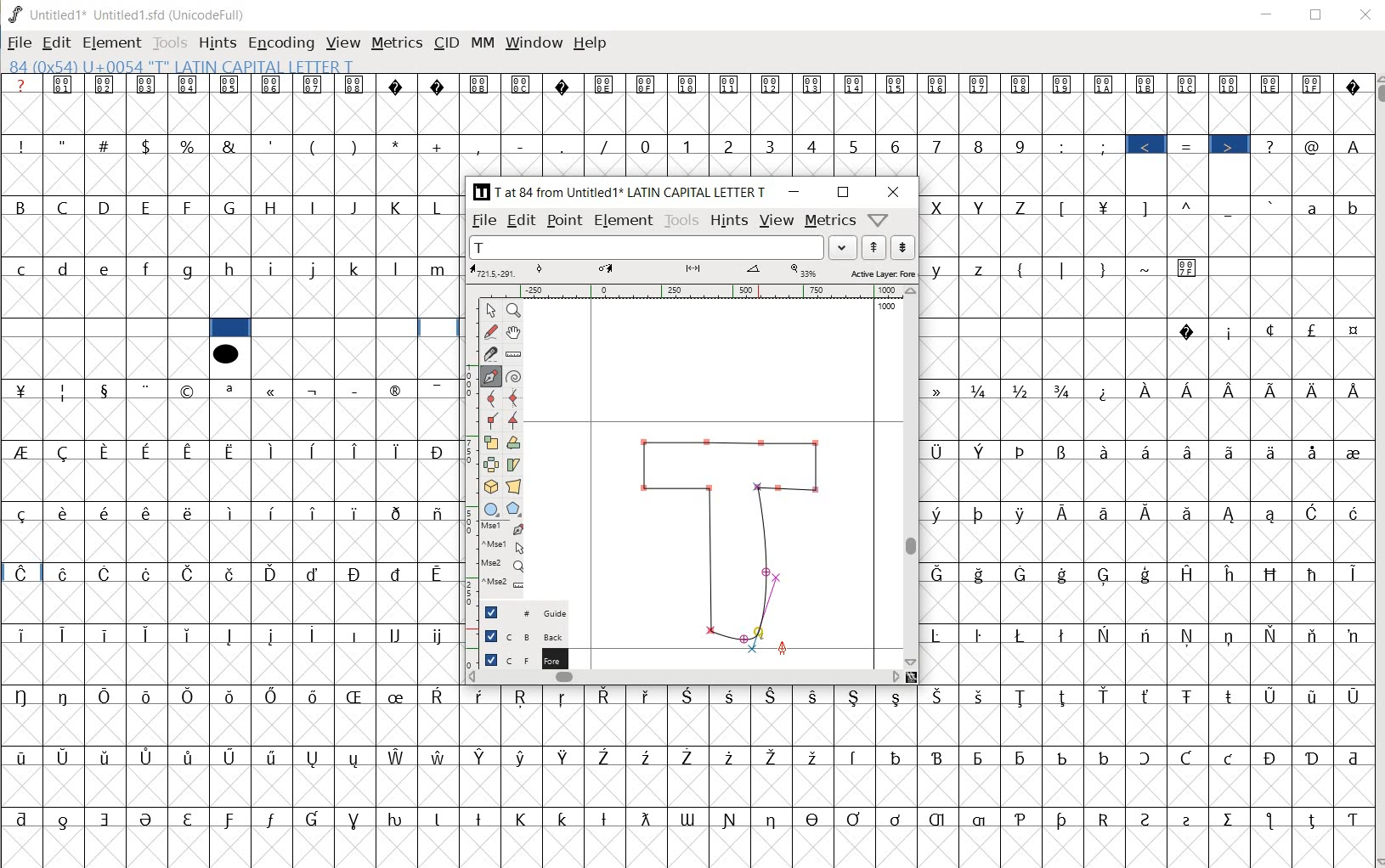  Describe the element at coordinates (941, 270) in the screenshot. I see `y` at that location.